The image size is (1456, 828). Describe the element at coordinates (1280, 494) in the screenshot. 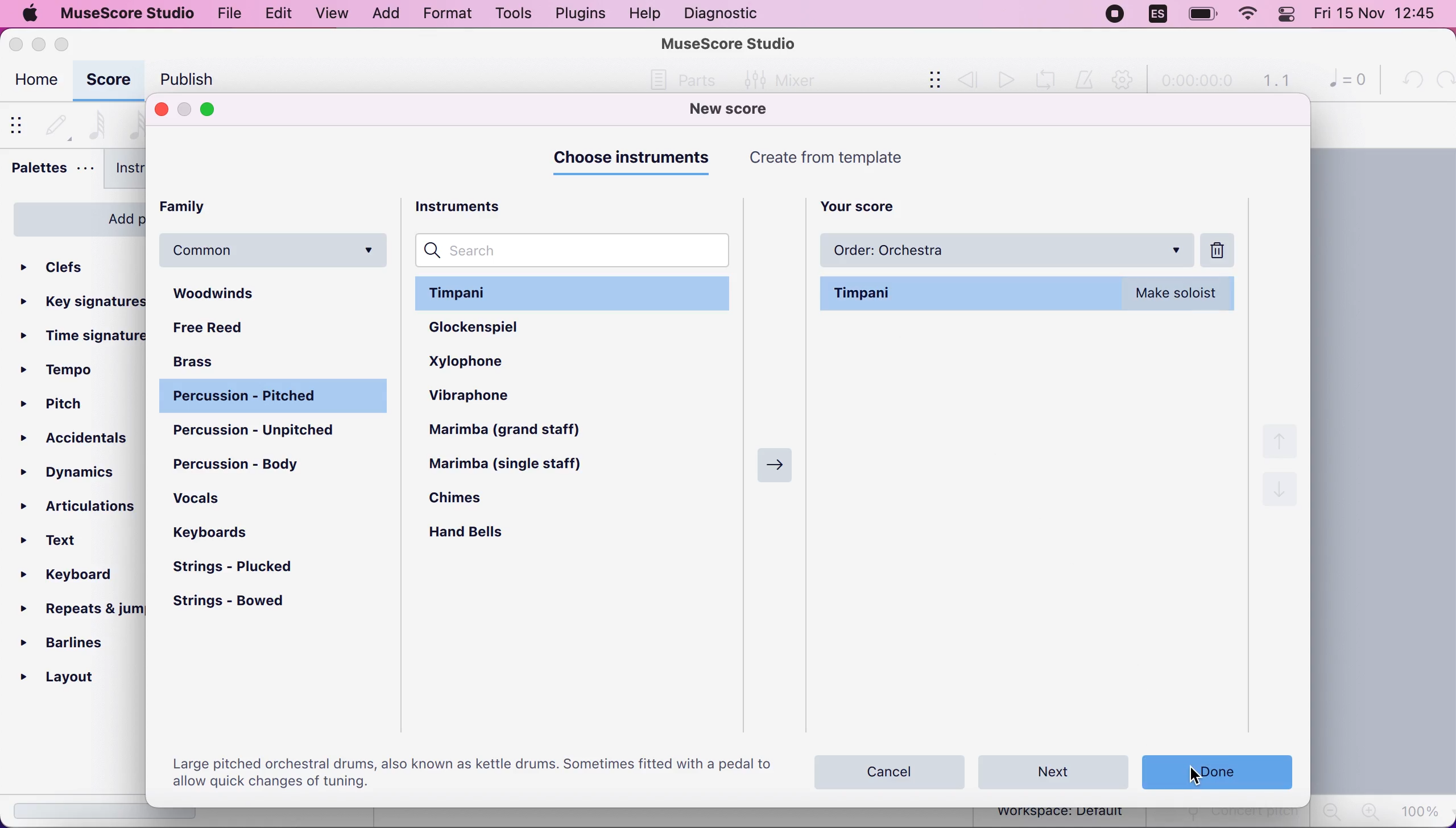

I see `down` at that location.